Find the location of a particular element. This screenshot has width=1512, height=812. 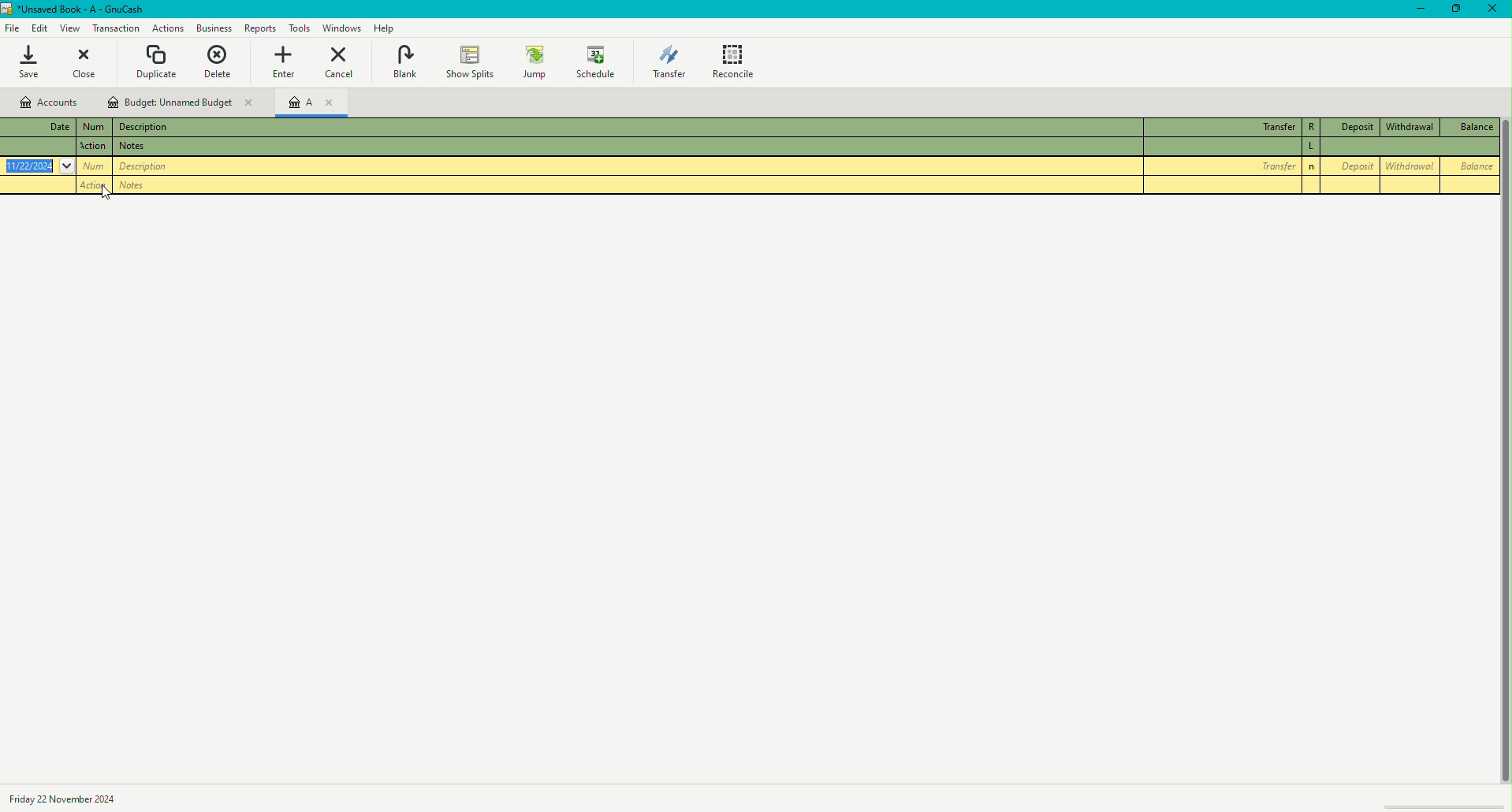

Description is located at coordinates (143, 129).